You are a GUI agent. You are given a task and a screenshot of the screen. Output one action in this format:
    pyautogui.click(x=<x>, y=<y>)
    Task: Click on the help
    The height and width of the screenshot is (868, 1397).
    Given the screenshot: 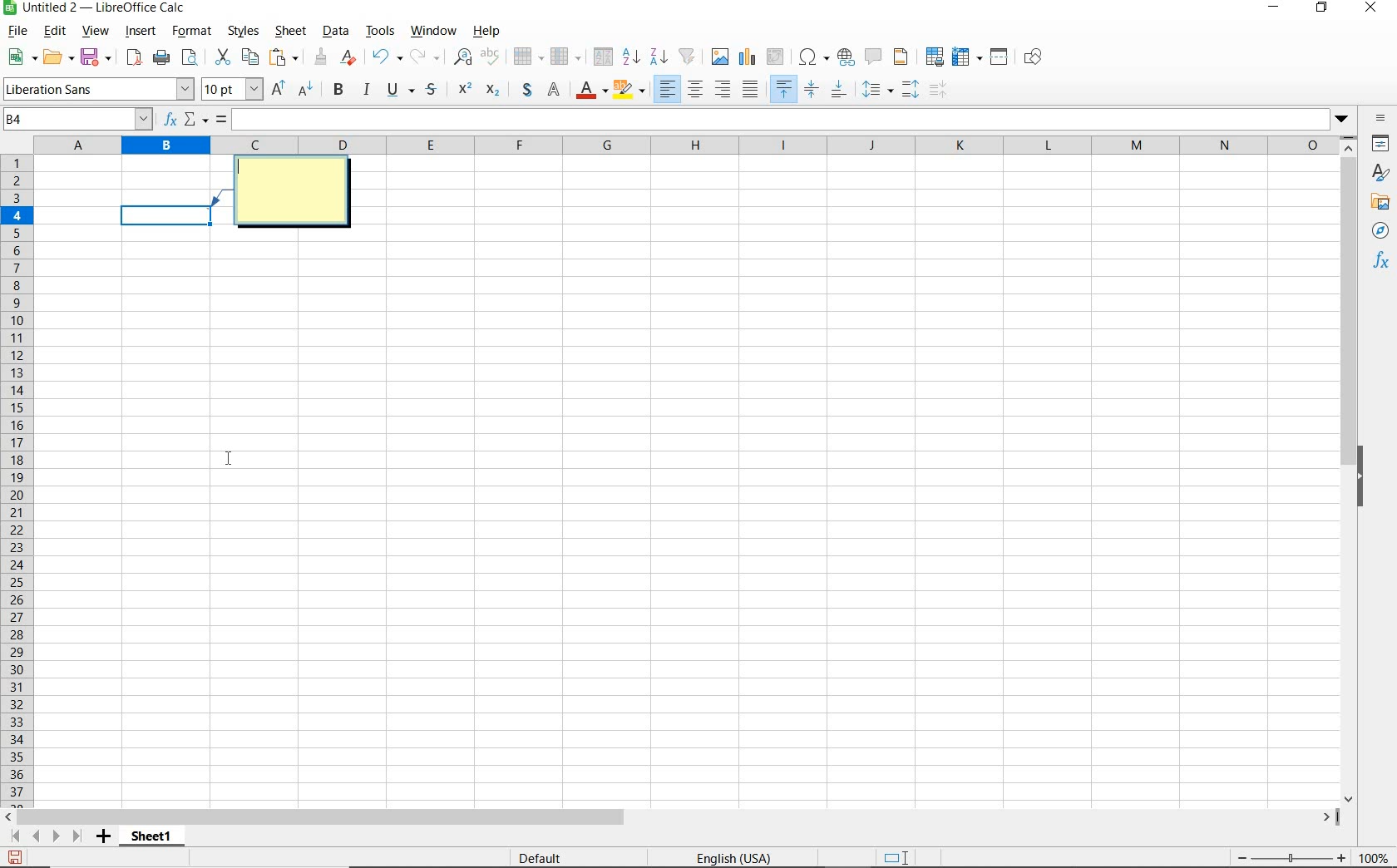 What is the action you would take?
    pyautogui.click(x=484, y=32)
    